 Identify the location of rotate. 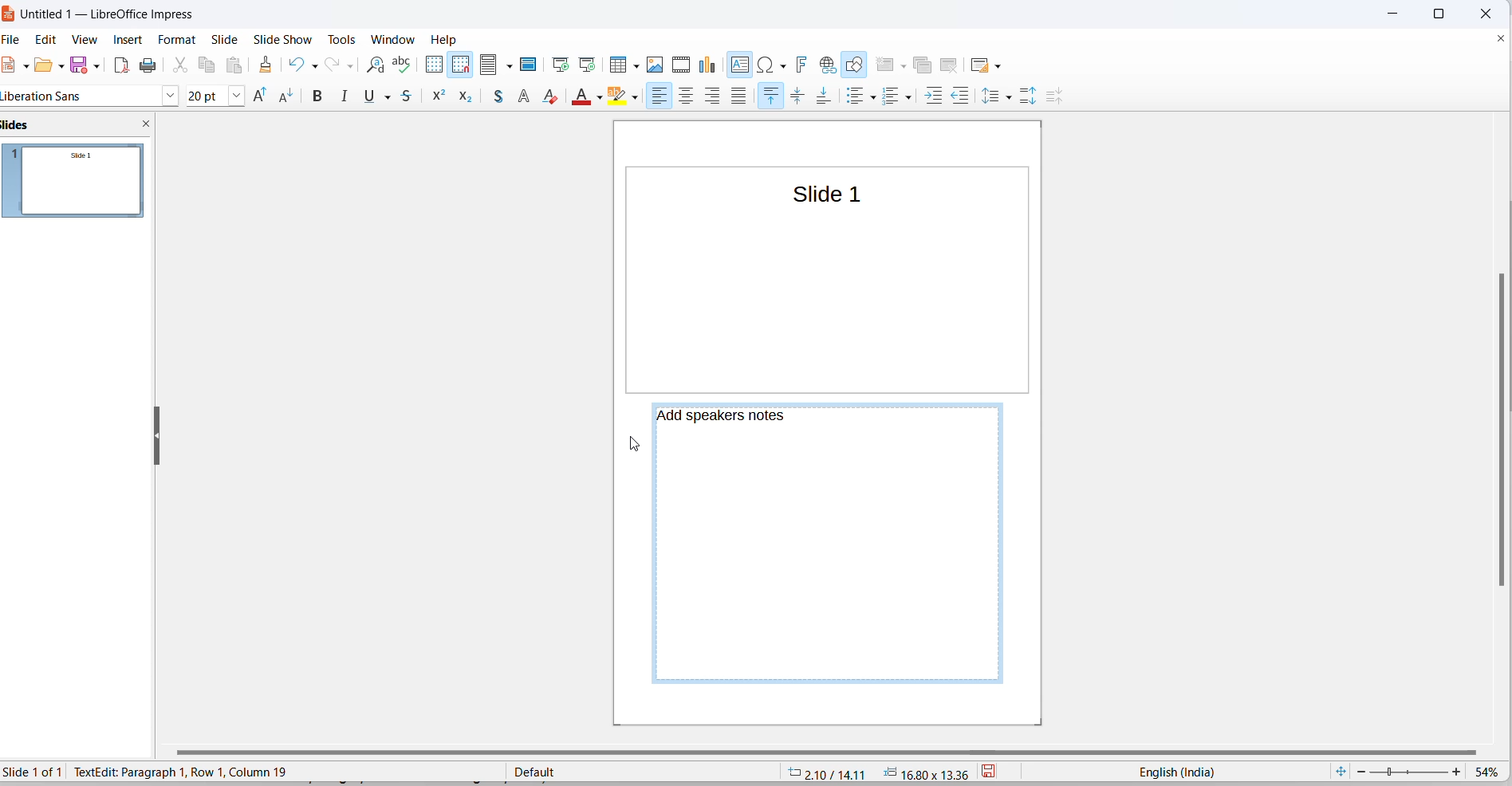
(598, 96).